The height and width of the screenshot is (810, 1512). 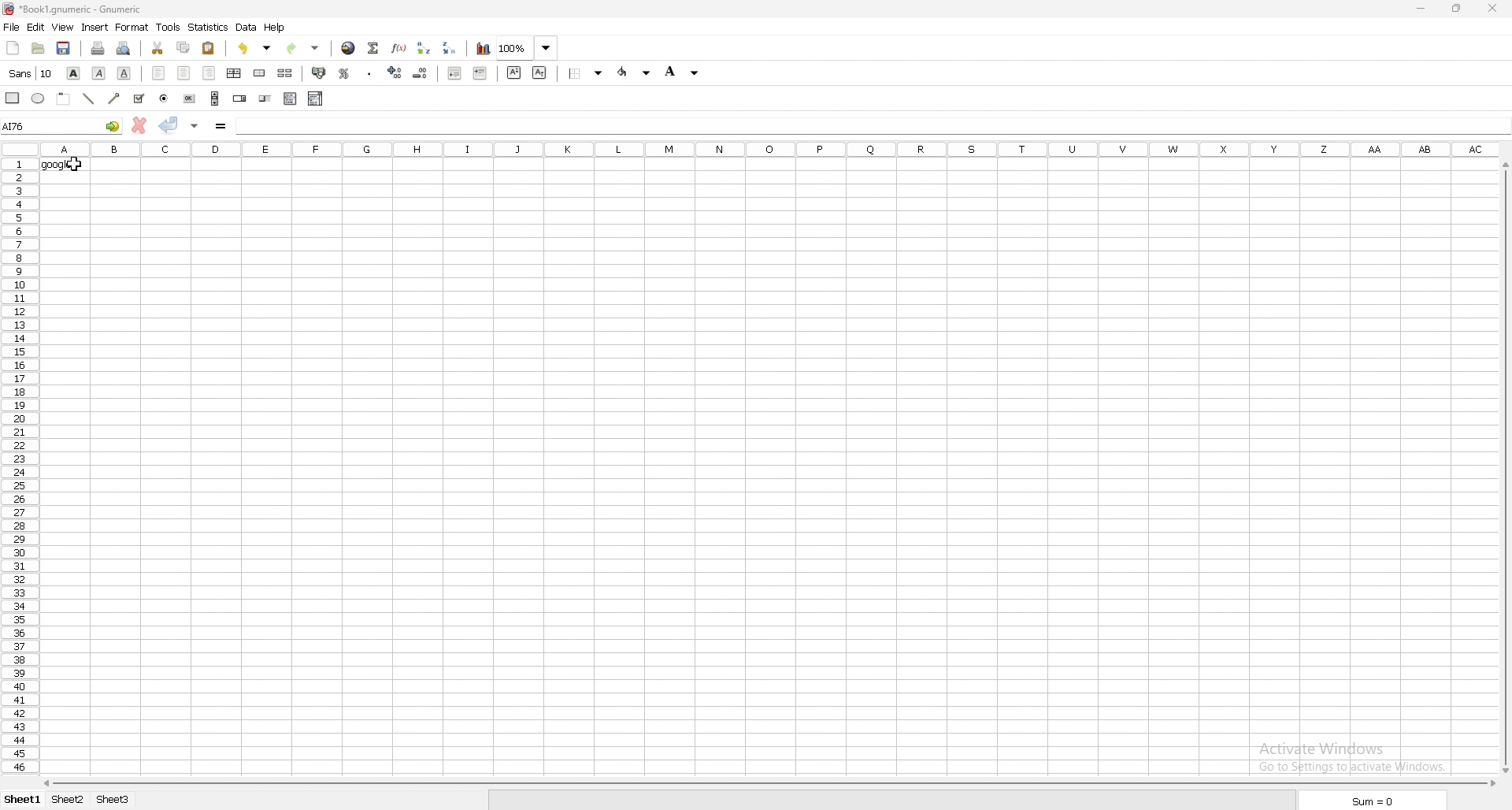 What do you see at coordinates (276, 27) in the screenshot?
I see `help` at bounding box center [276, 27].